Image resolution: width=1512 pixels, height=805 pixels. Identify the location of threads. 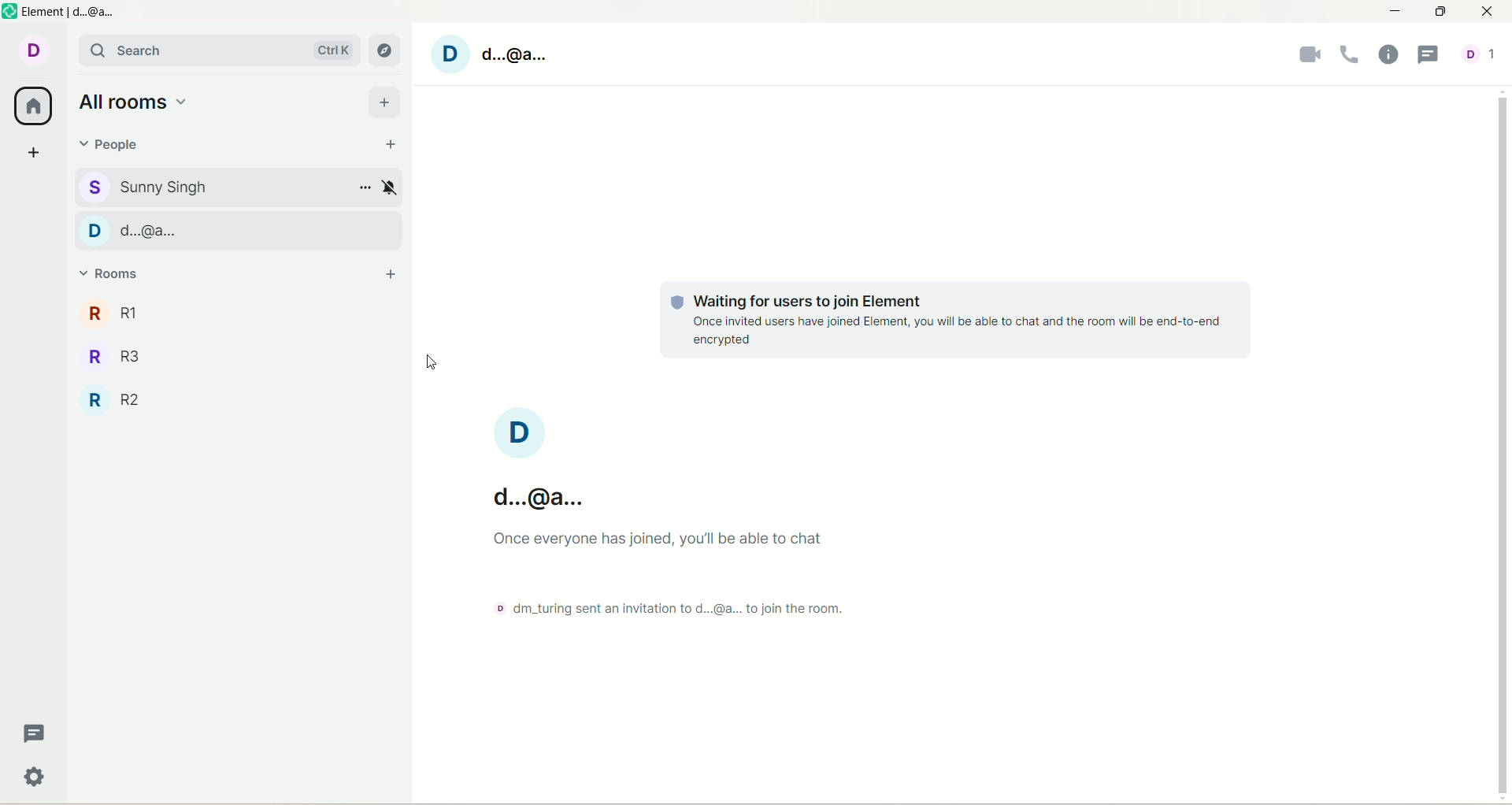
(36, 732).